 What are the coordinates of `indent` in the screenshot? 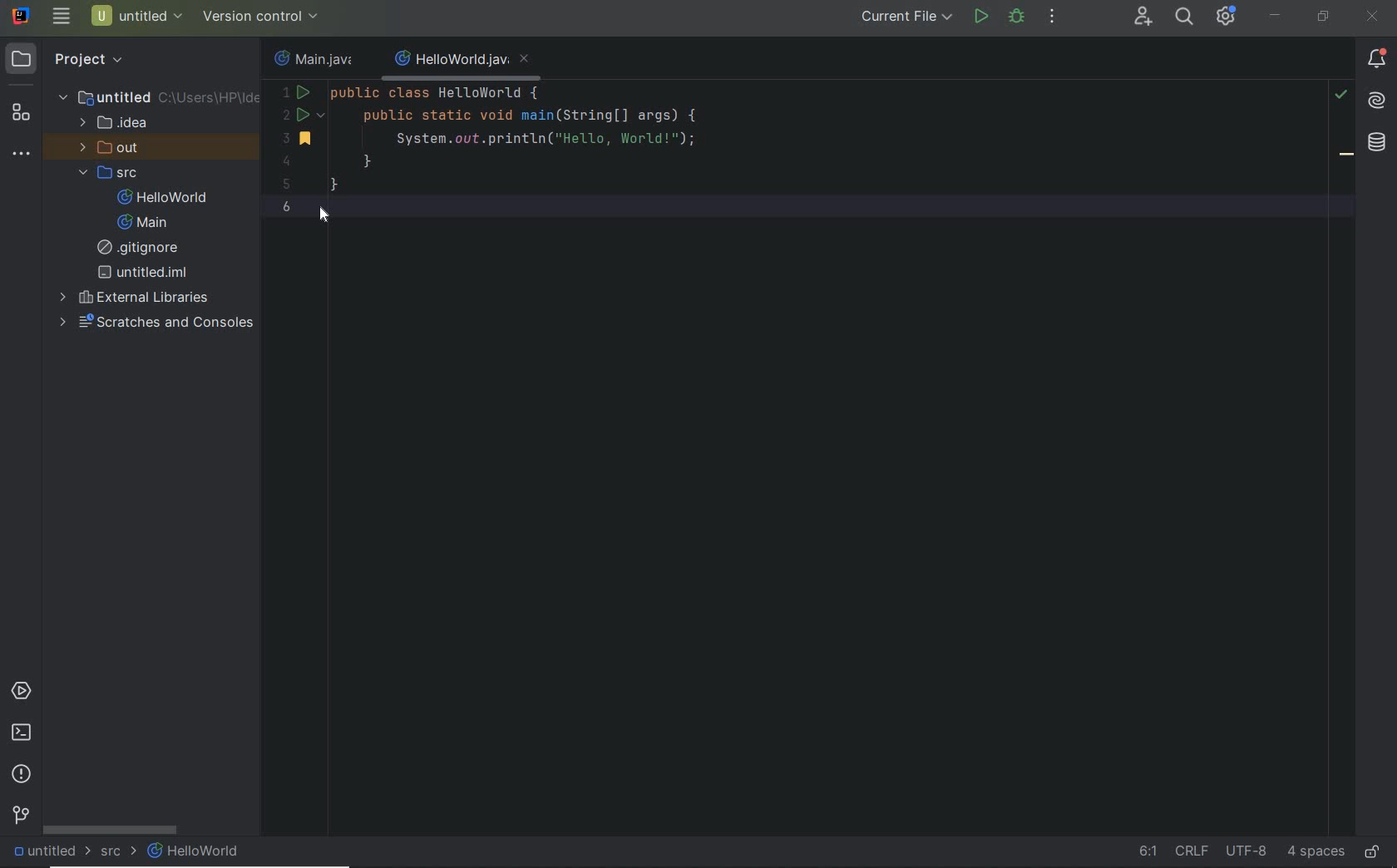 It's located at (1316, 854).